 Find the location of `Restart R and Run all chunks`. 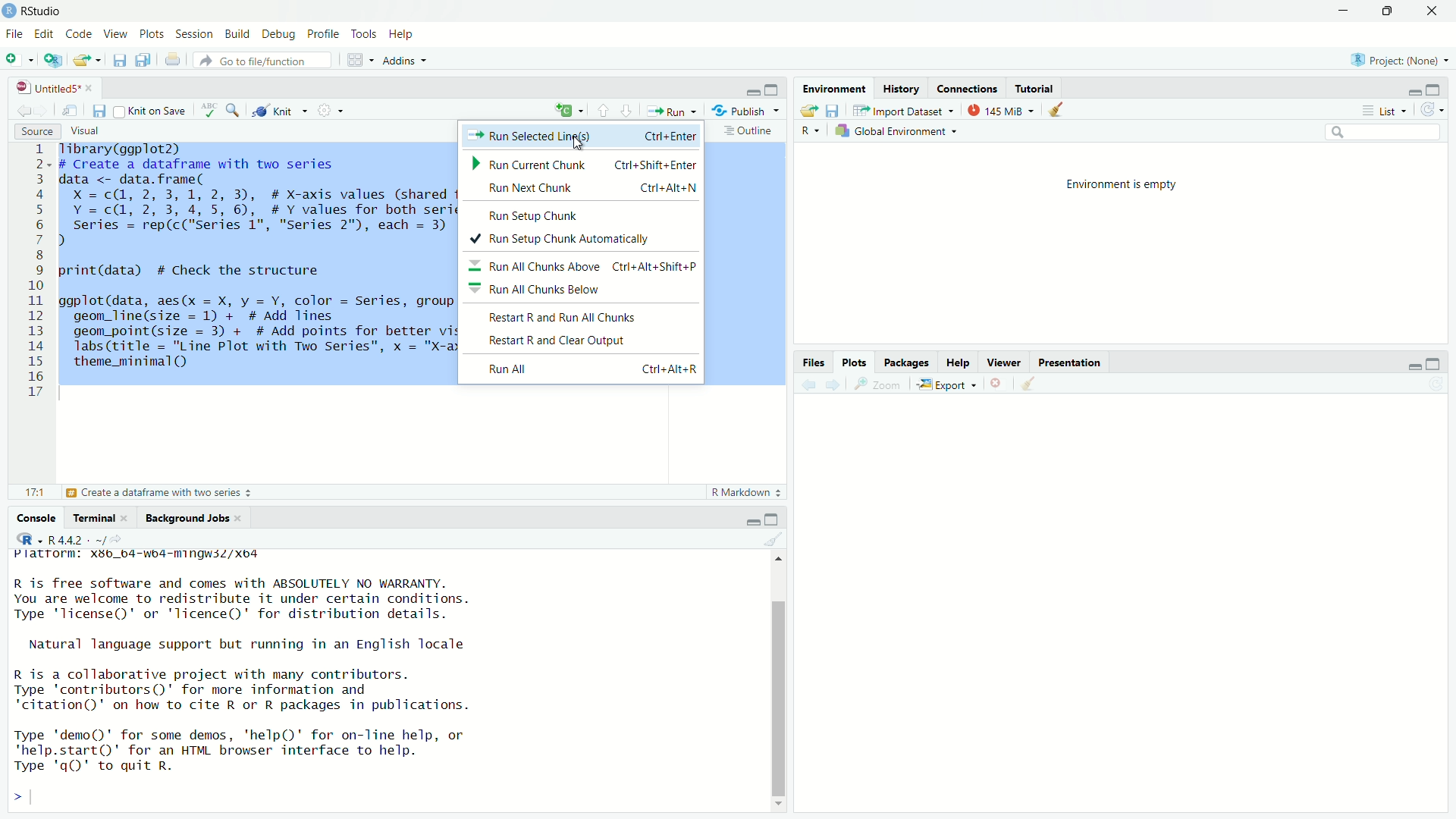

Restart R and Run all chunks is located at coordinates (560, 316).